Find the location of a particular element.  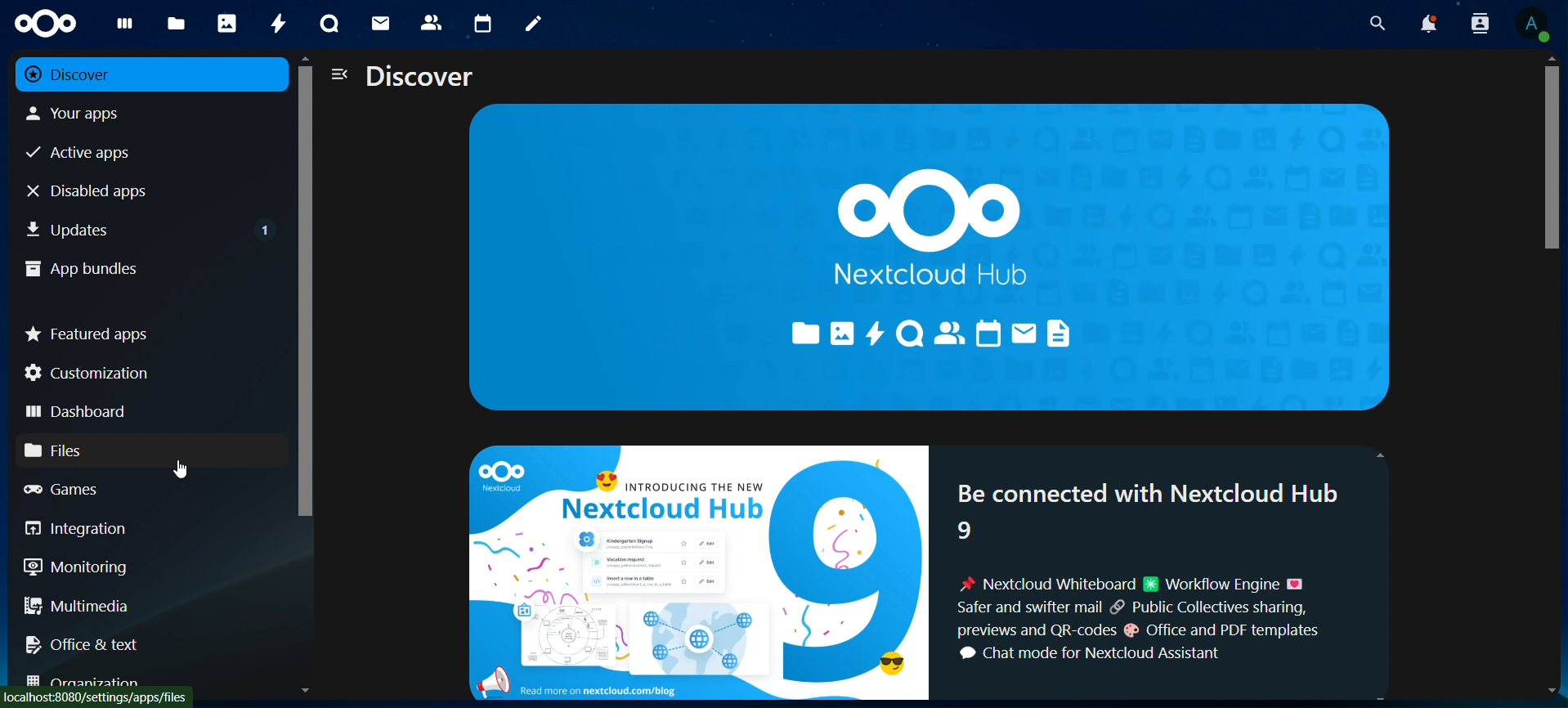

organization is located at coordinates (90, 685).